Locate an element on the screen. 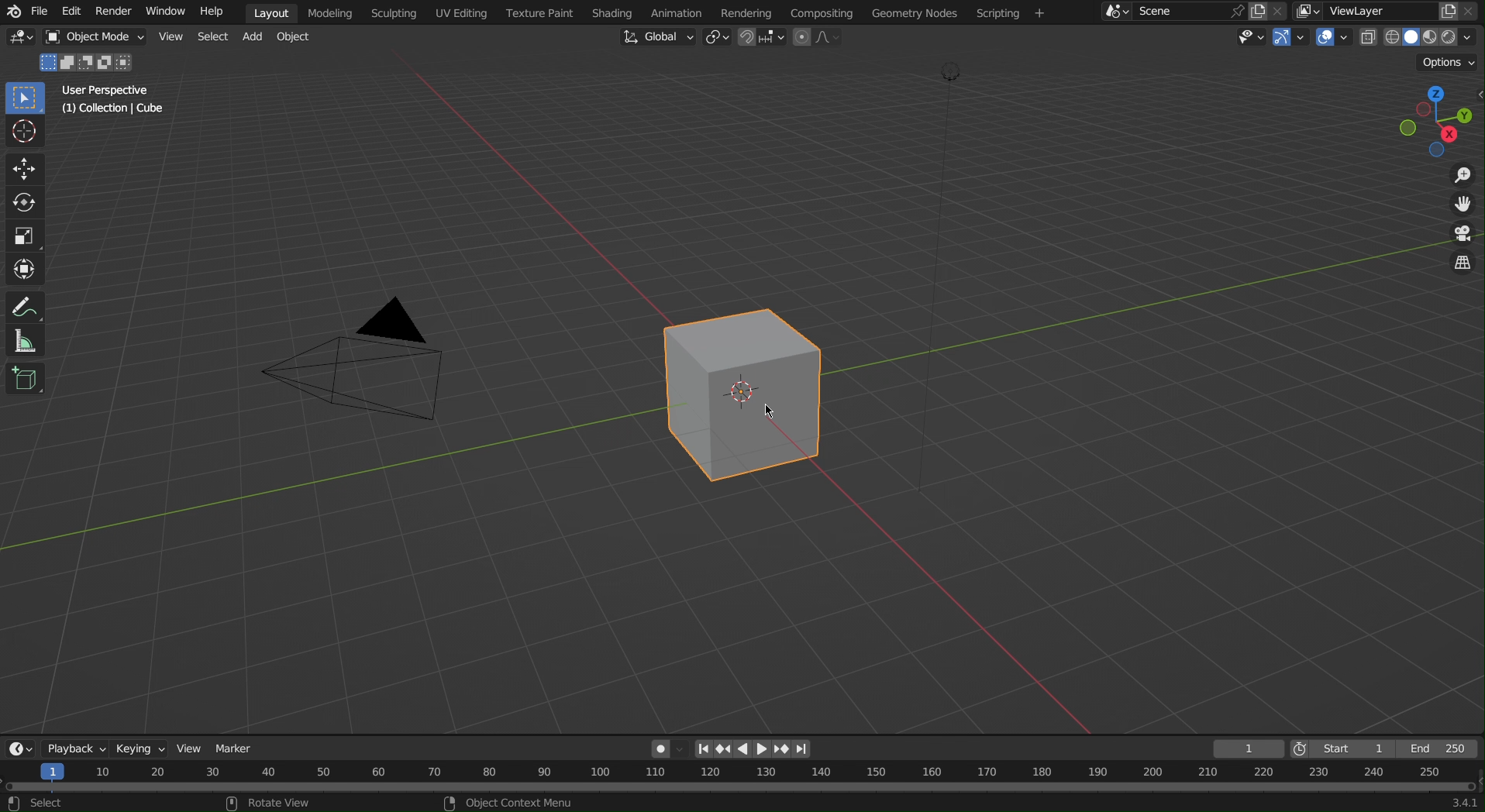 The height and width of the screenshot is (812, 1485). Merge is located at coordinates (68, 61).